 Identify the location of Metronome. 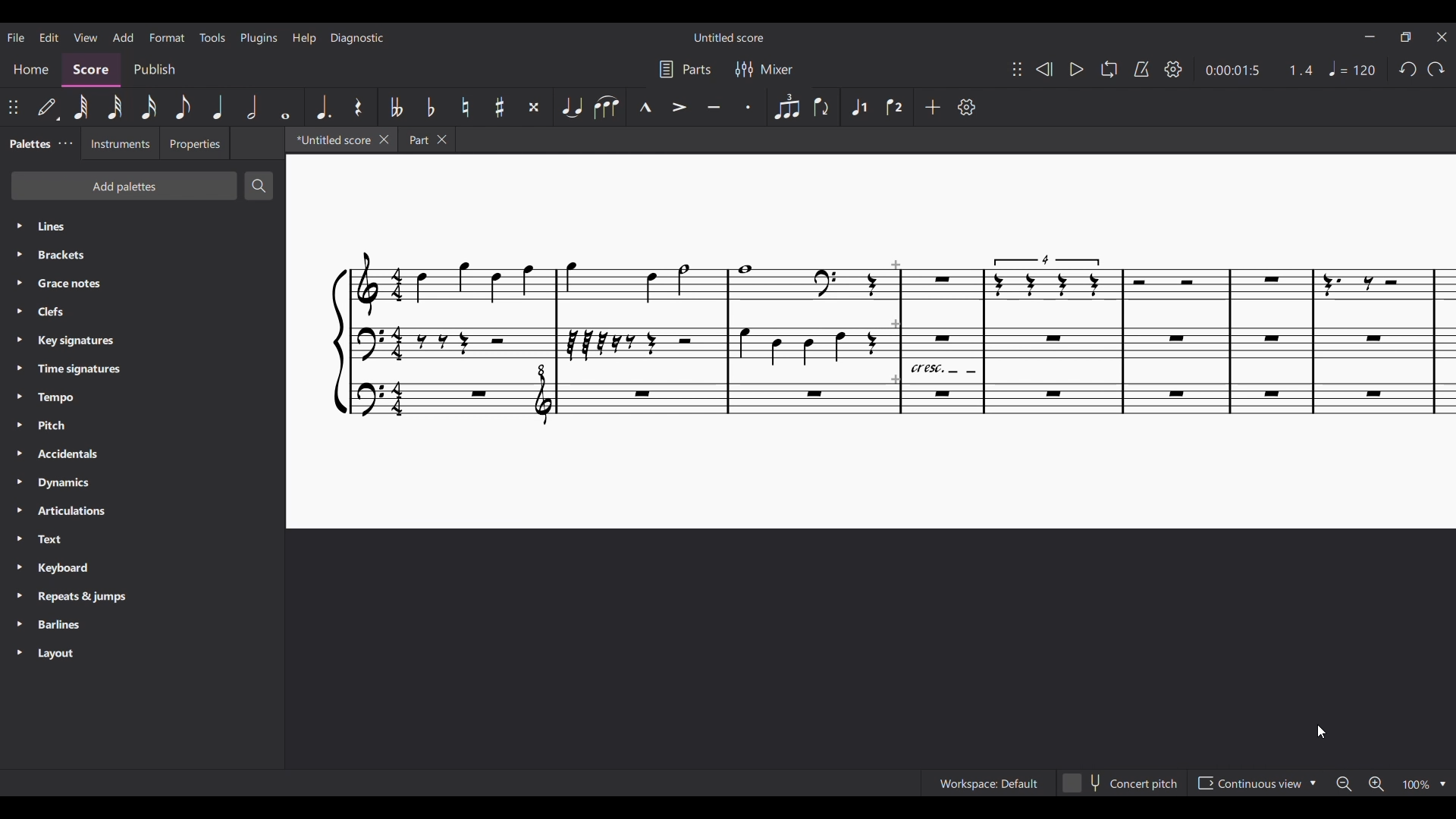
(1141, 69).